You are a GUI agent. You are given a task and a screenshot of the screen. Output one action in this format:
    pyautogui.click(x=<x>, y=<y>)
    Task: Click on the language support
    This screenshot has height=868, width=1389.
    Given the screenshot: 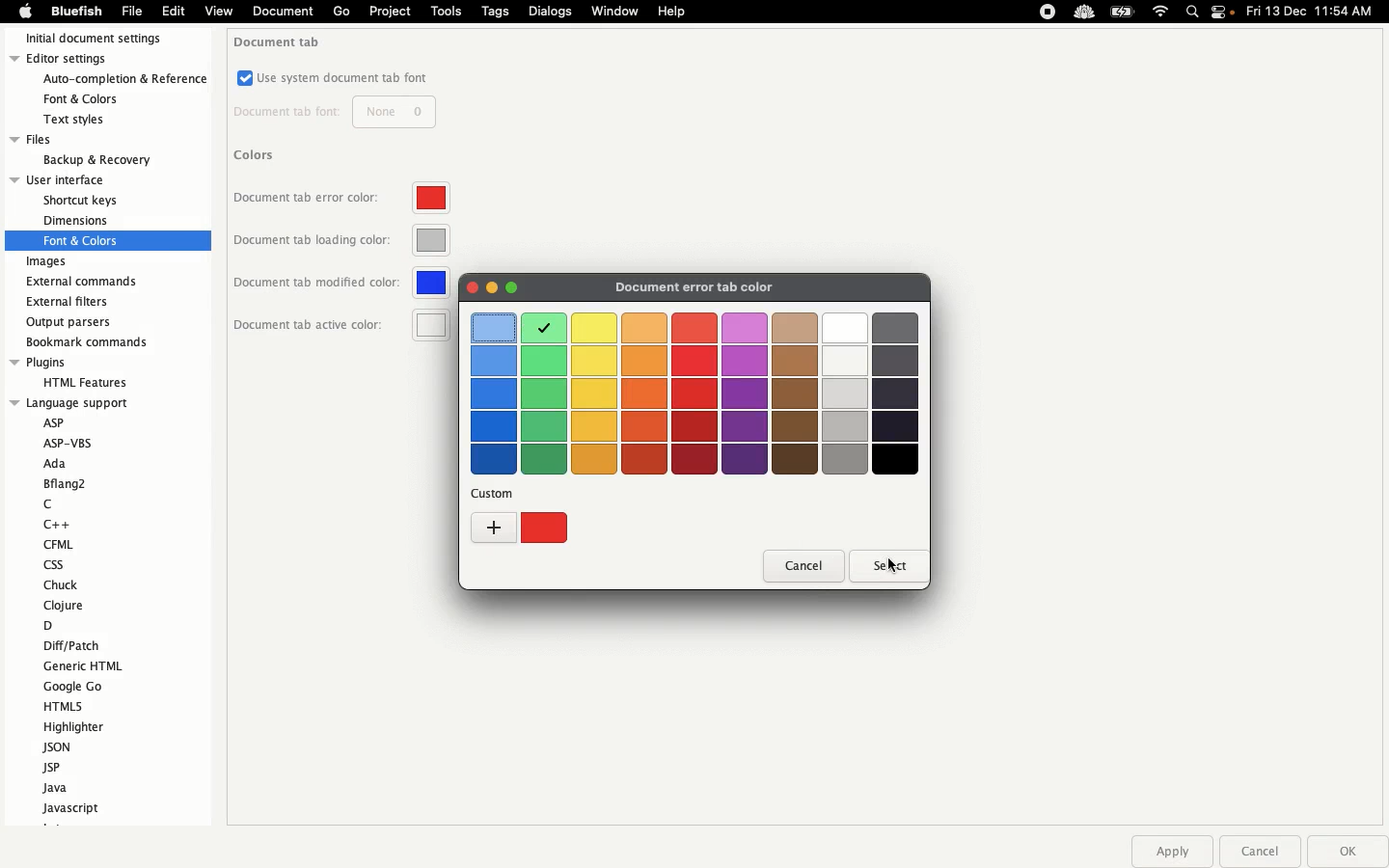 What is the action you would take?
    pyautogui.click(x=71, y=402)
    